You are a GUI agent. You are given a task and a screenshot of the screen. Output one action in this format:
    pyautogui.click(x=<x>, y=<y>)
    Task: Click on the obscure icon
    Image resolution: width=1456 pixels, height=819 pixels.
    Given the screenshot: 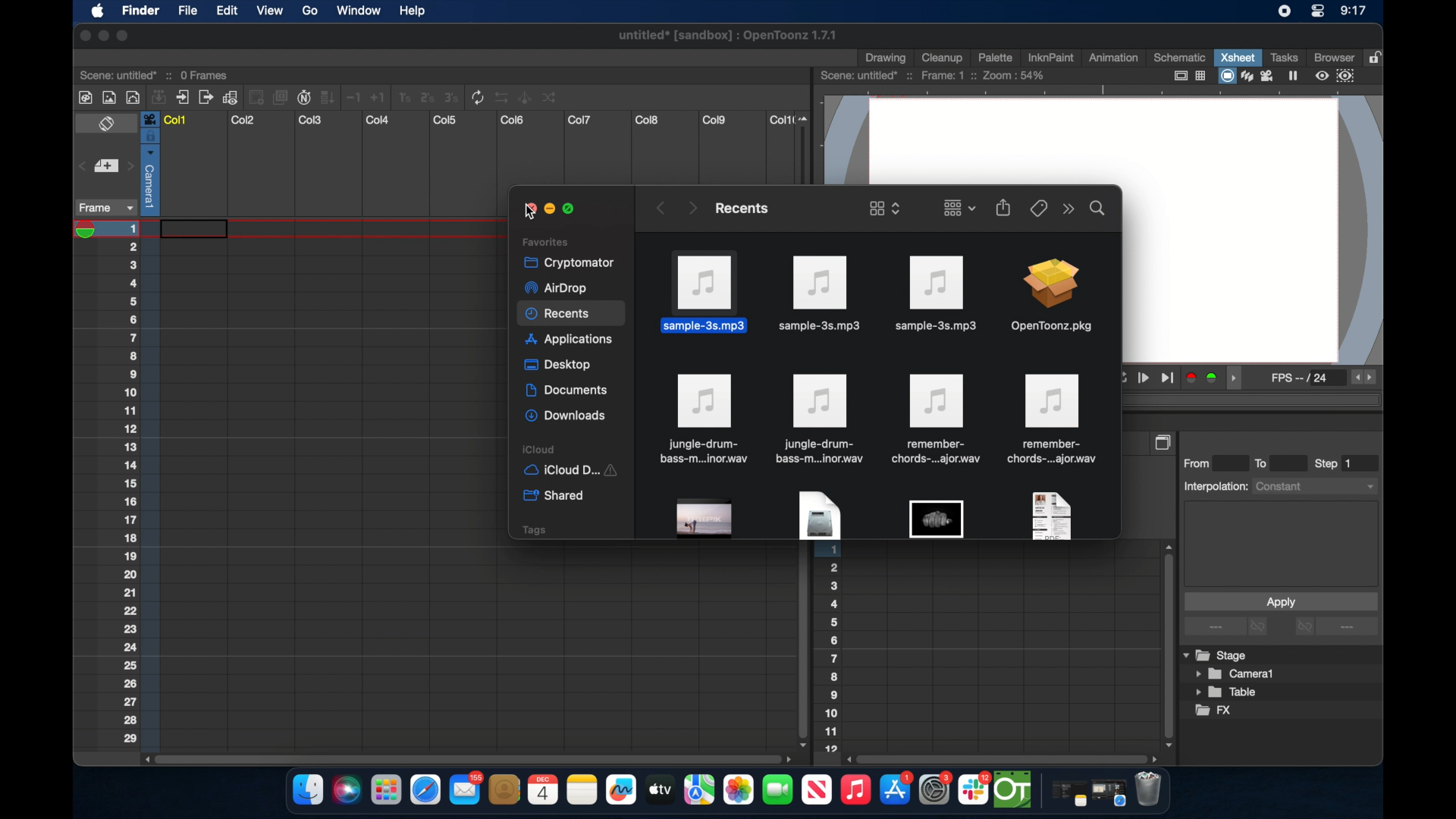 What is the action you would take?
    pyautogui.click(x=705, y=519)
    